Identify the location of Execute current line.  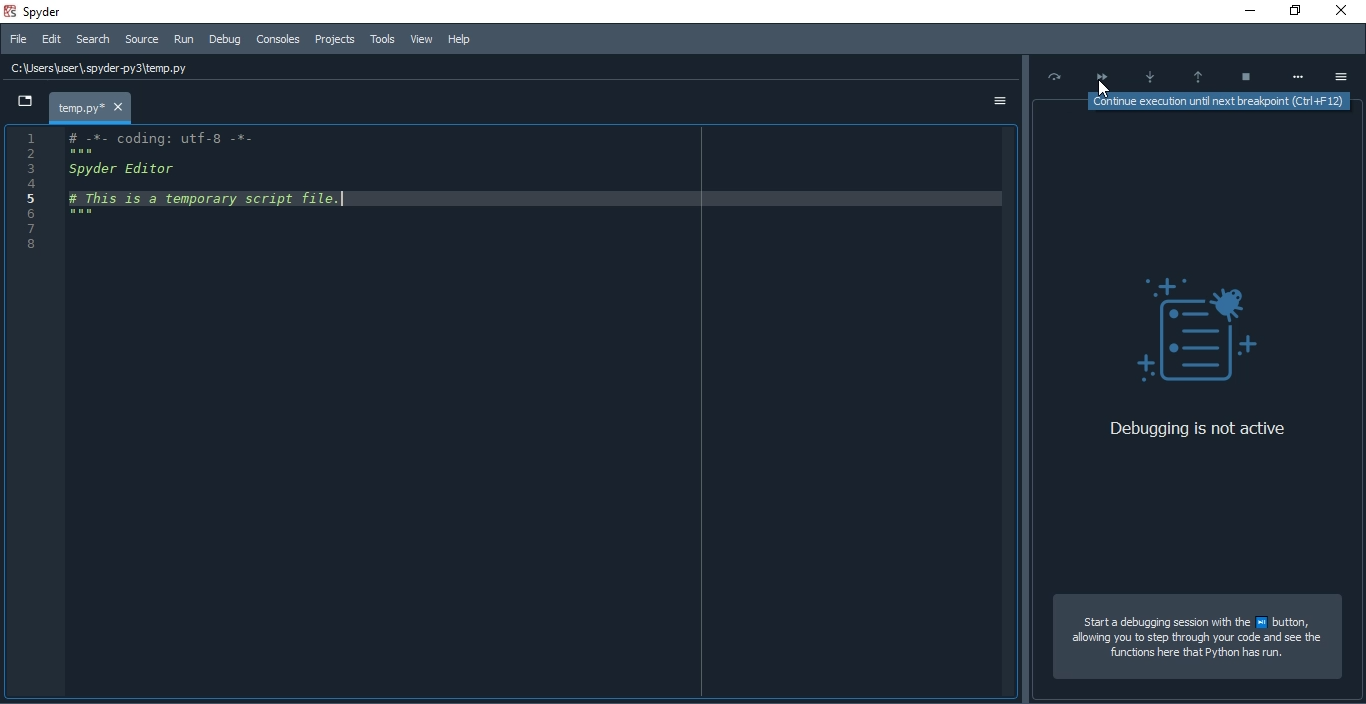
(1051, 77).